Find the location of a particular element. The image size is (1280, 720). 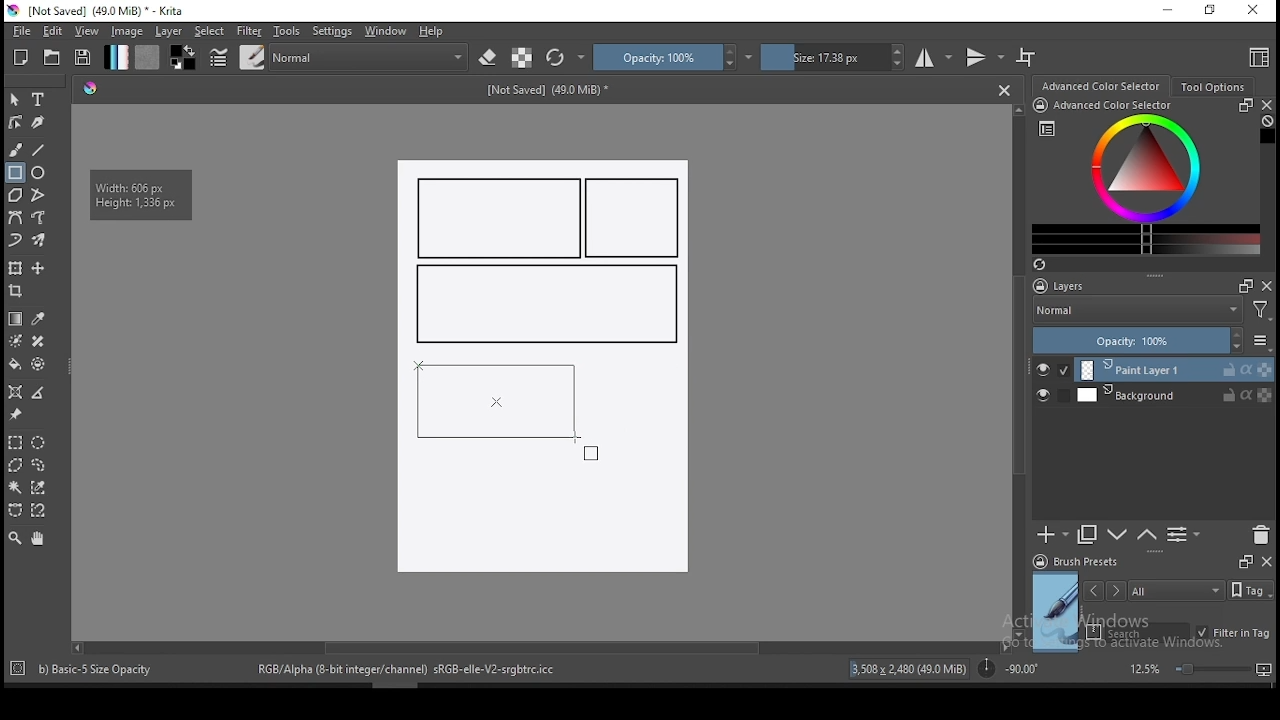

new rectangle is located at coordinates (544, 305).